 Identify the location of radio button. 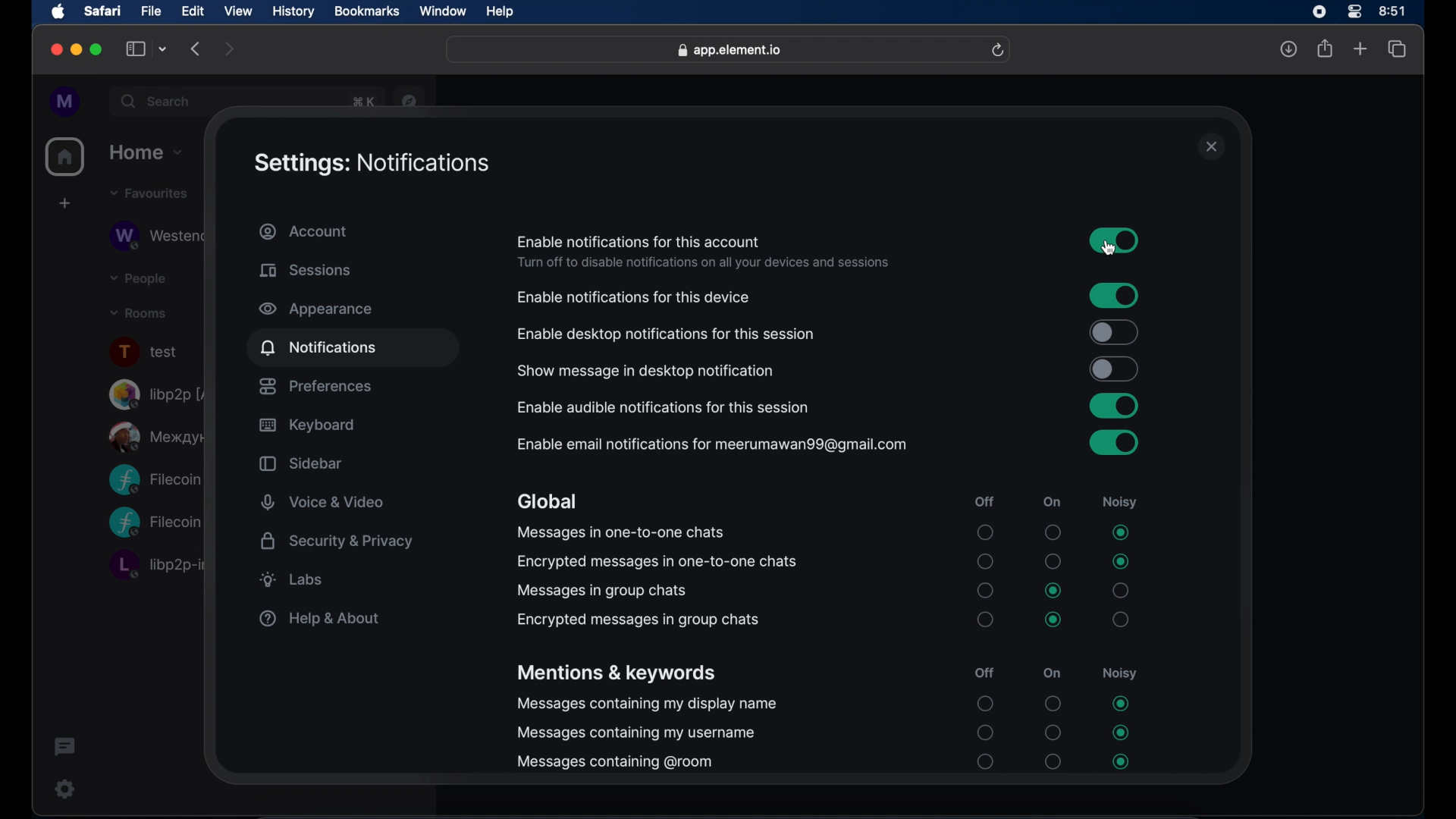
(1053, 704).